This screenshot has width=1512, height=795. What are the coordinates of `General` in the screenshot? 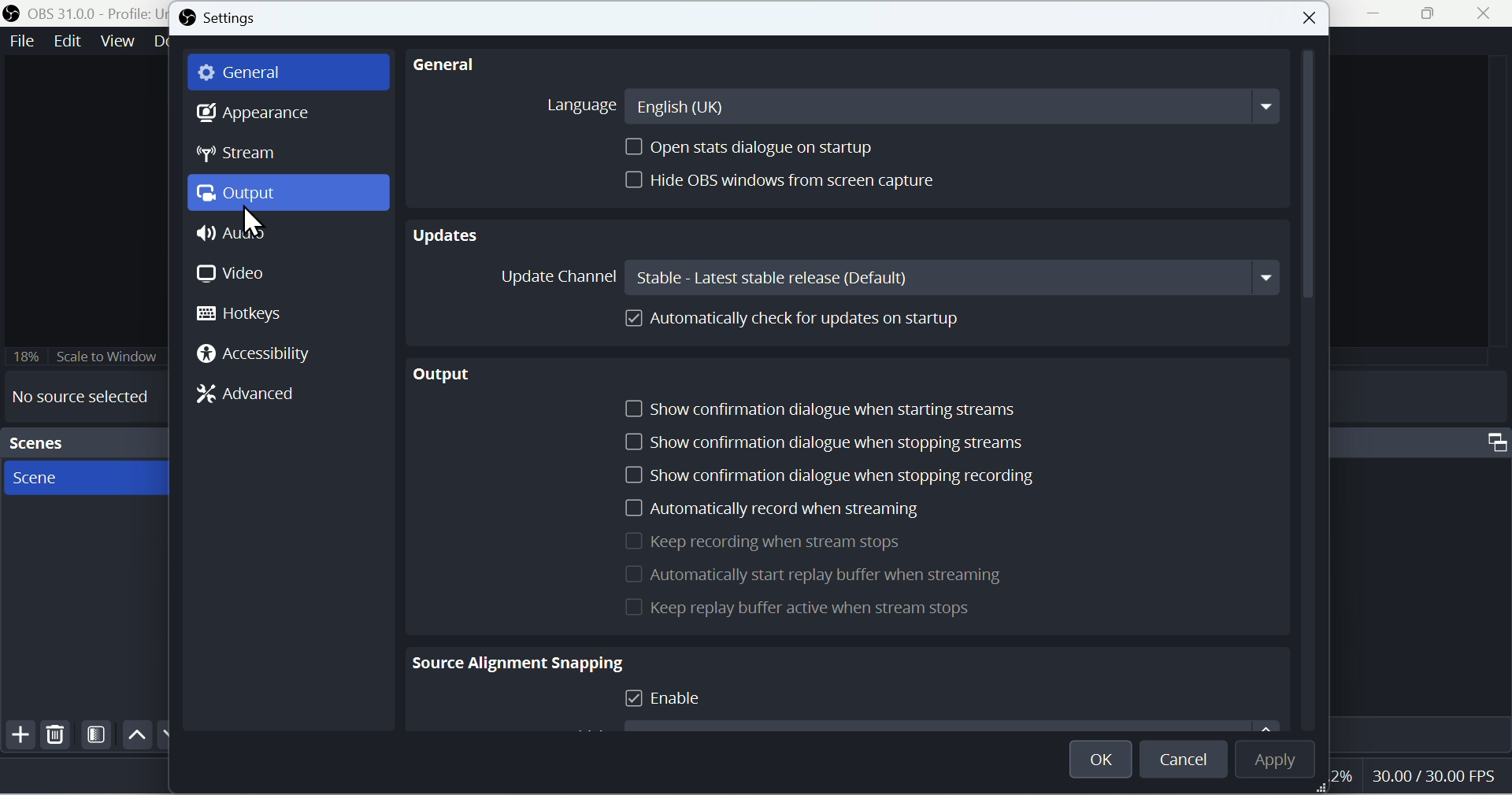 It's located at (250, 72).